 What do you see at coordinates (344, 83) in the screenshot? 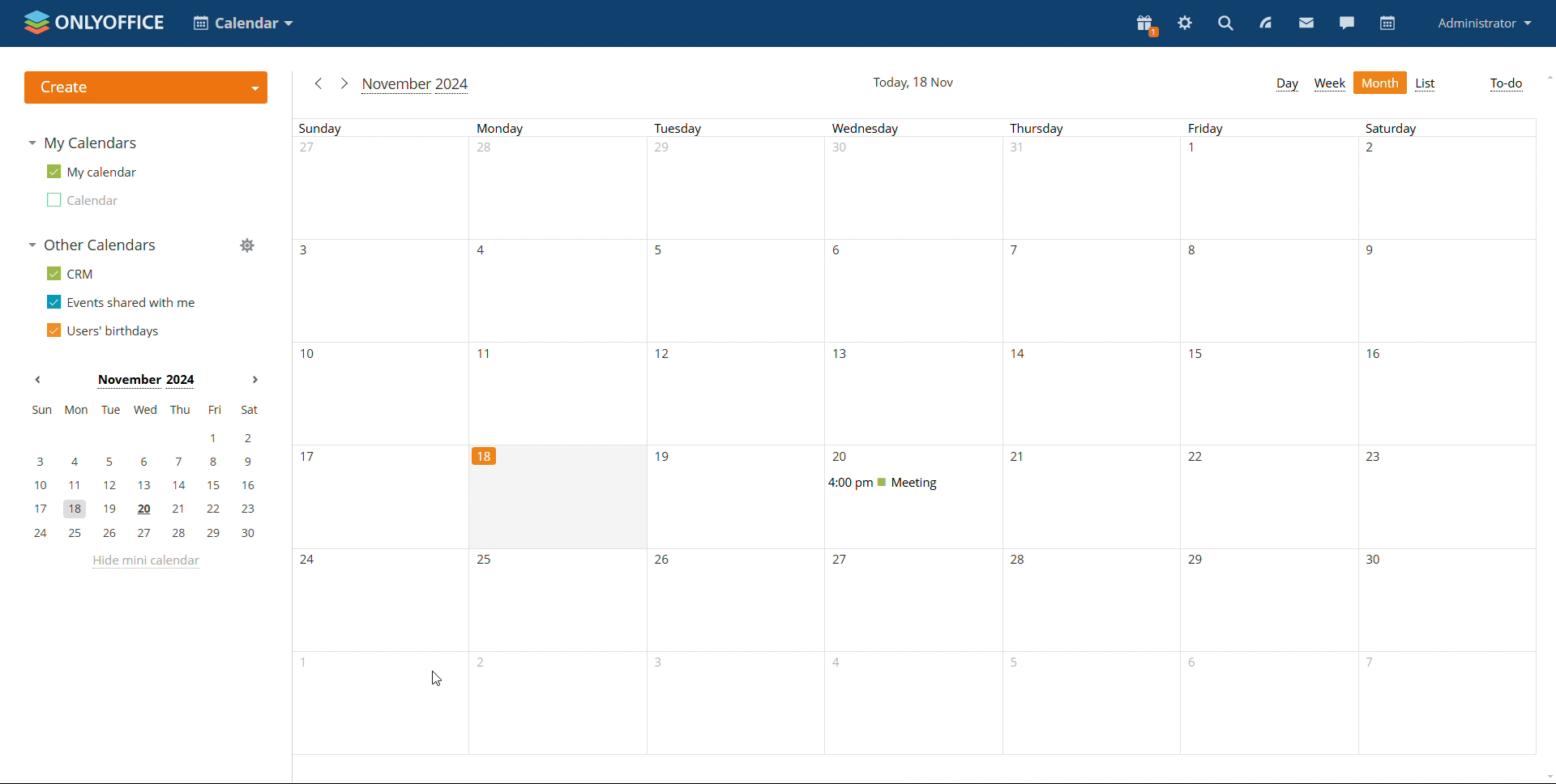
I see `next month` at bounding box center [344, 83].